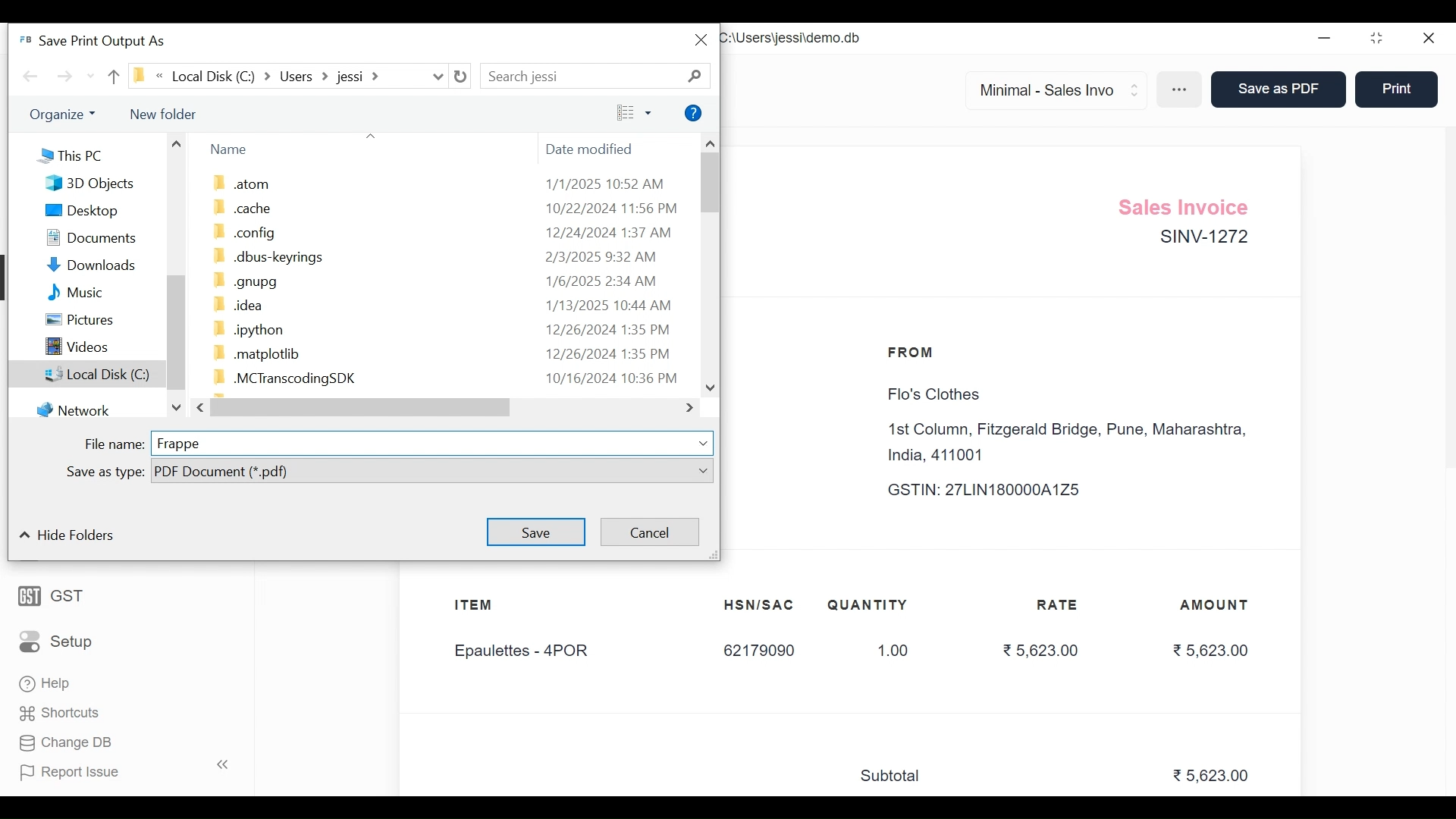  What do you see at coordinates (651, 531) in the screenshot?
I see `Cancel` at bounding box center [651, 531].